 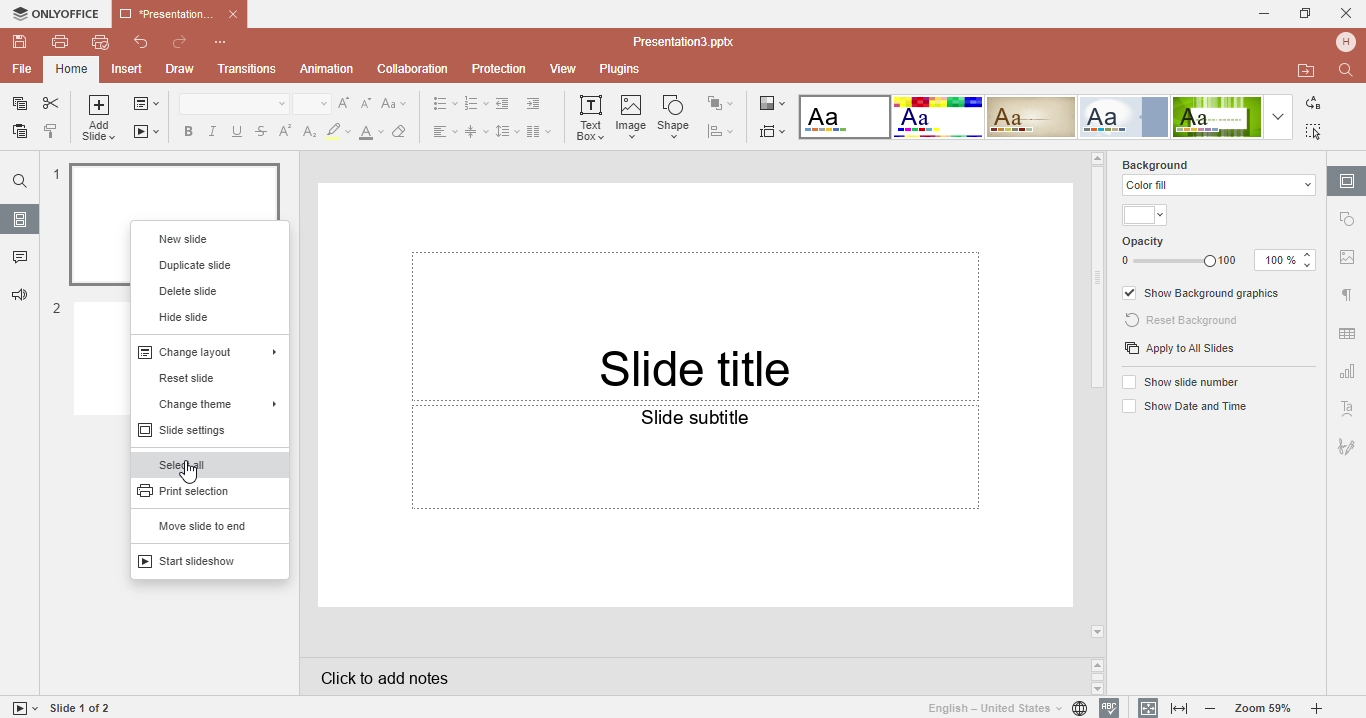 I want to click on Find, so click(x=1349, y=70).